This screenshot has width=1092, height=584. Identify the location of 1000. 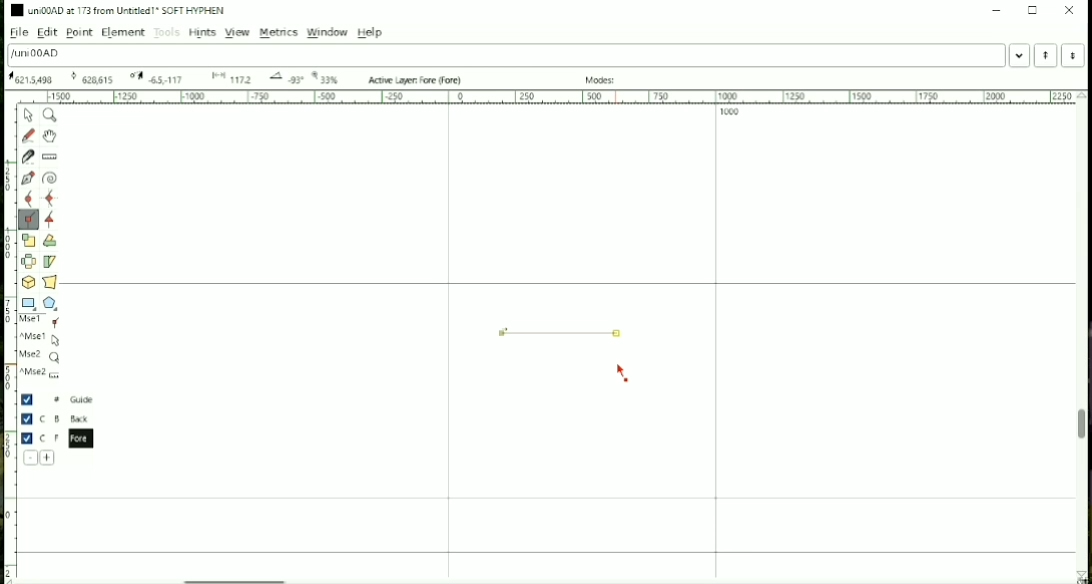
(730, 113).